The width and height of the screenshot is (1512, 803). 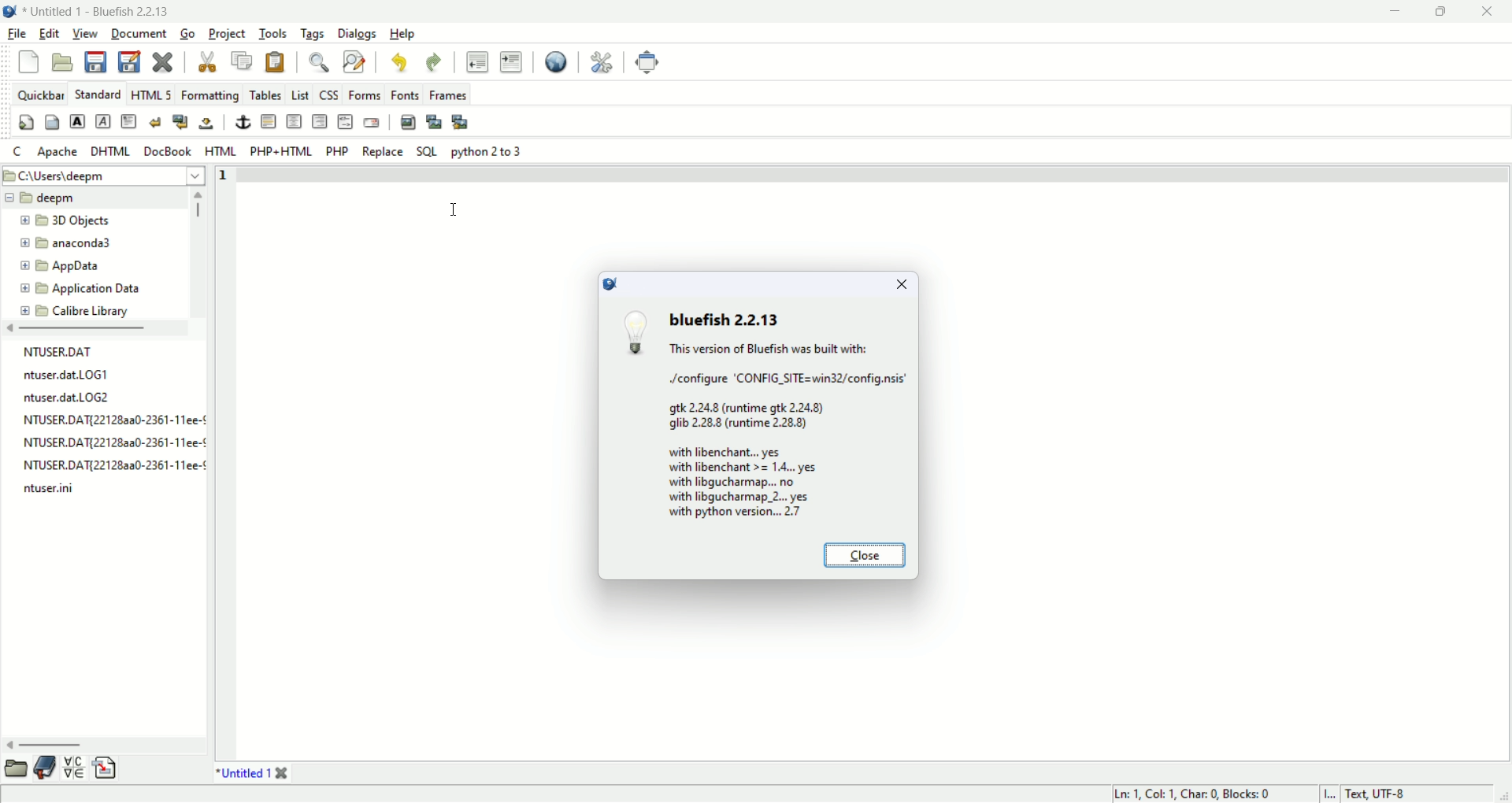 I want to click on close, so click(x=165, y=63).